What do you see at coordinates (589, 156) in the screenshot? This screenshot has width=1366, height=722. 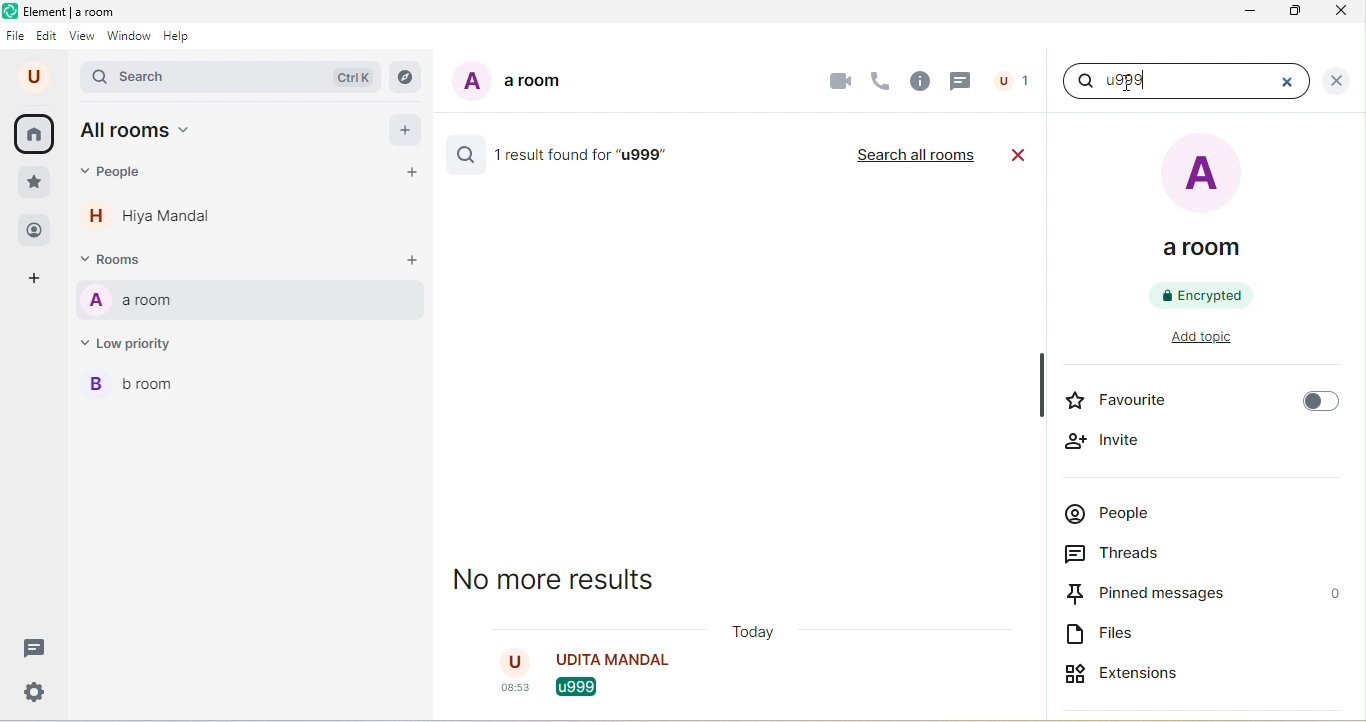 I see `1 result found for u999` at bounding box center [589, 156].